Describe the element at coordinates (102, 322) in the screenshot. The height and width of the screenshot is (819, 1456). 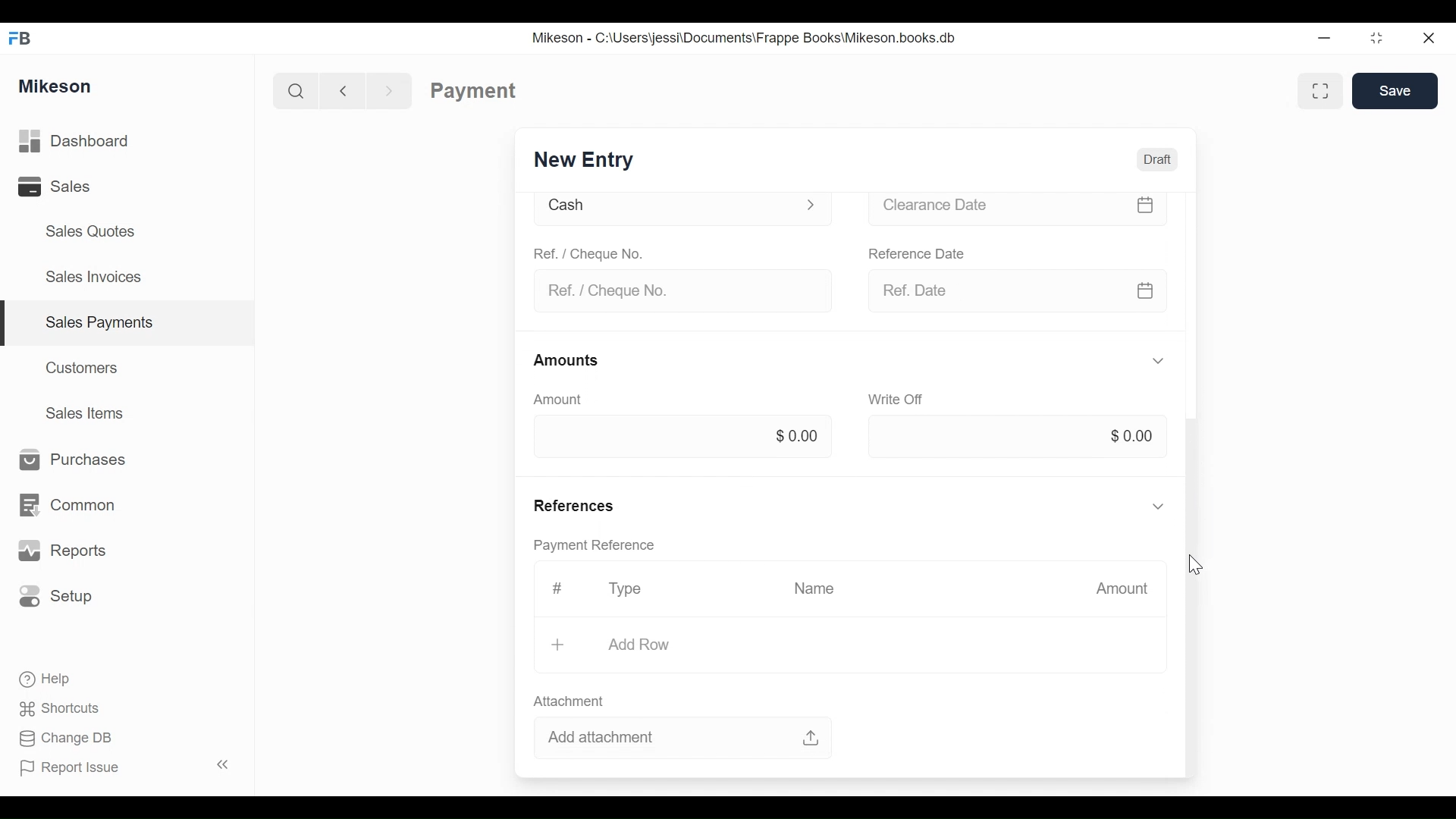
I see `Sales payments` at that location.